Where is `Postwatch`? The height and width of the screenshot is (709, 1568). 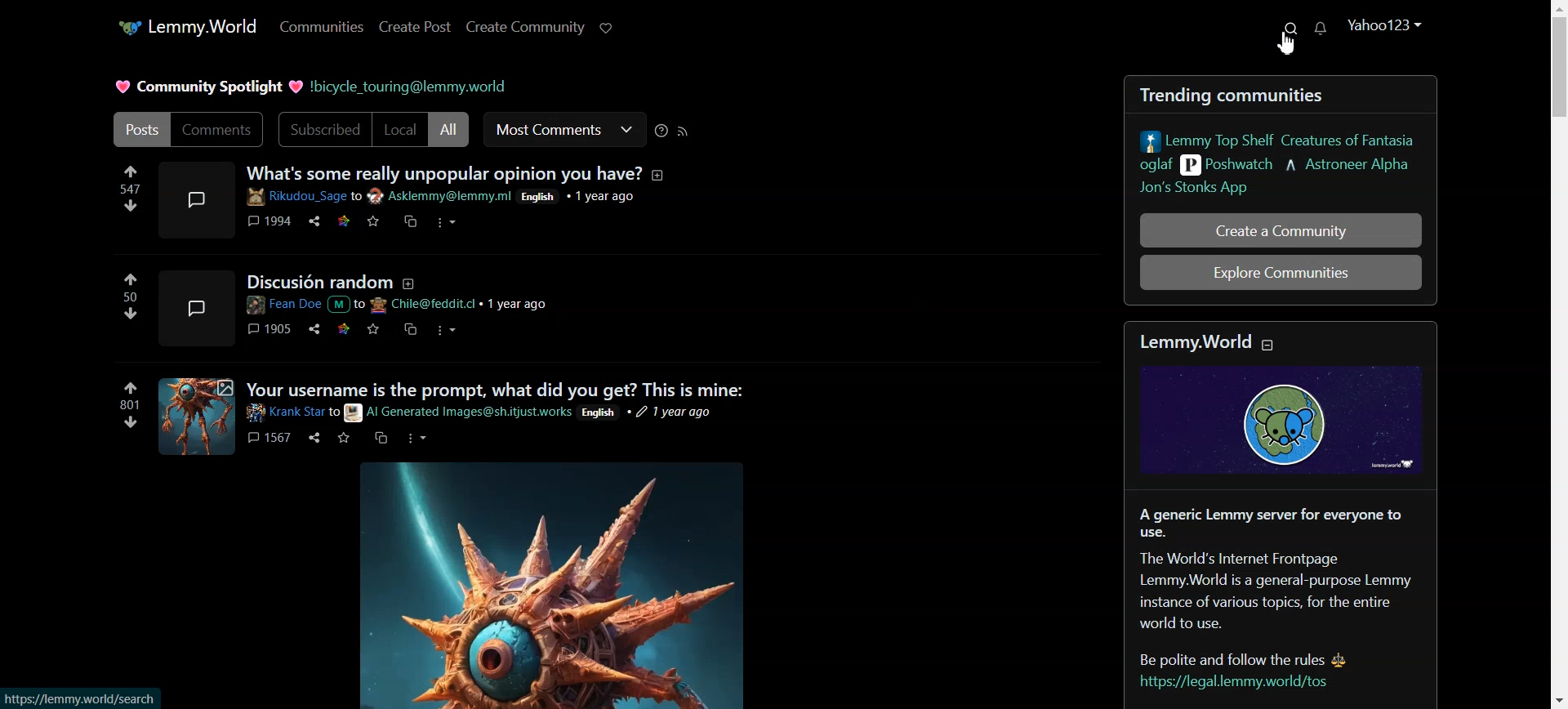 Postwatch is located at coordinates (1230, 165).